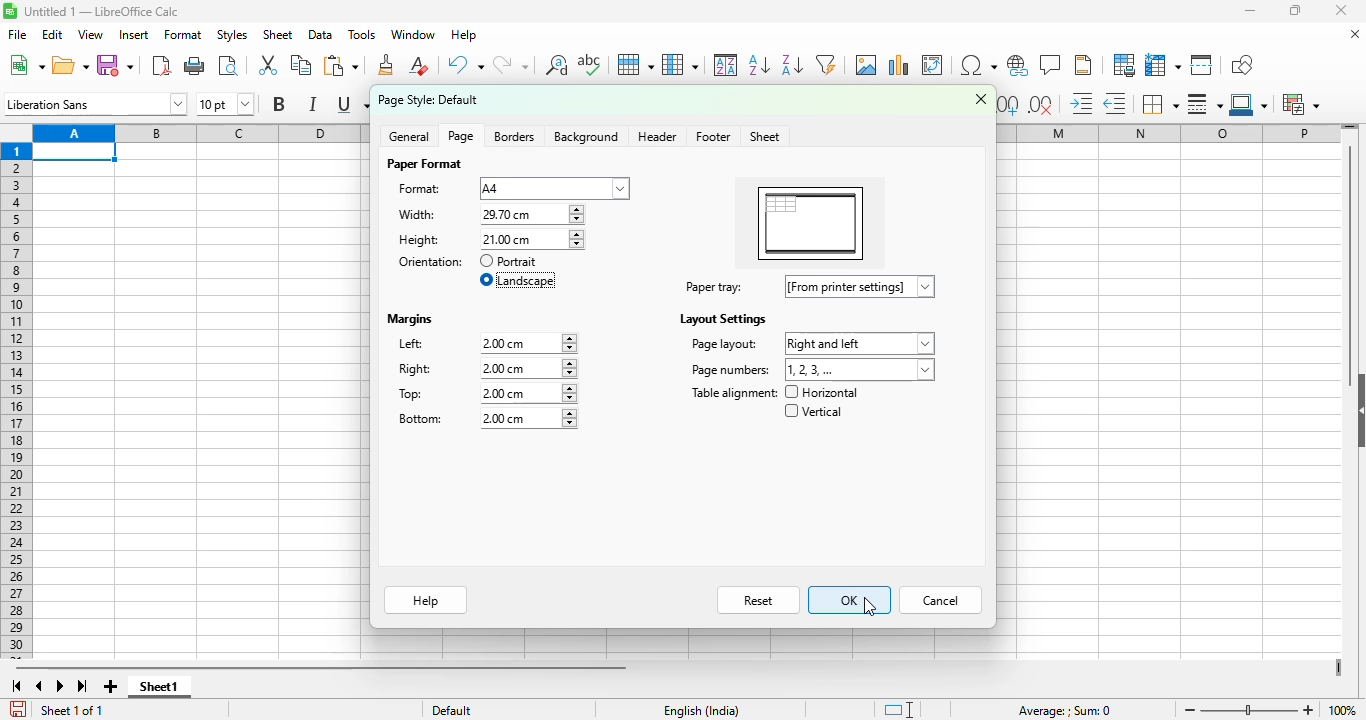 The image size is (1366, 720). Describe the element at coordinates (26, 65) in the screenshot. I see `new` at that location.